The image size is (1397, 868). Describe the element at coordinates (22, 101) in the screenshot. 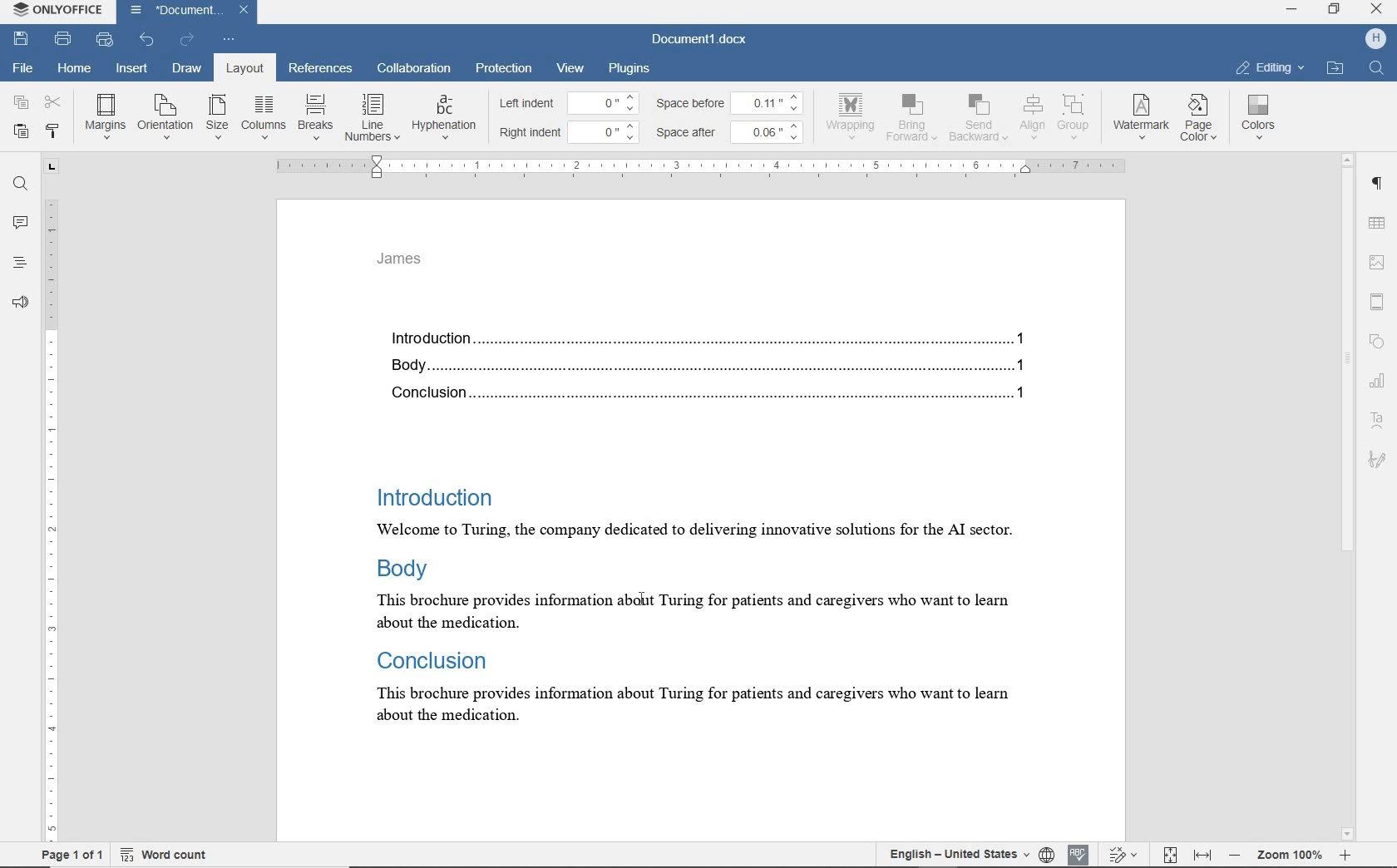

I see `copy` at that location.